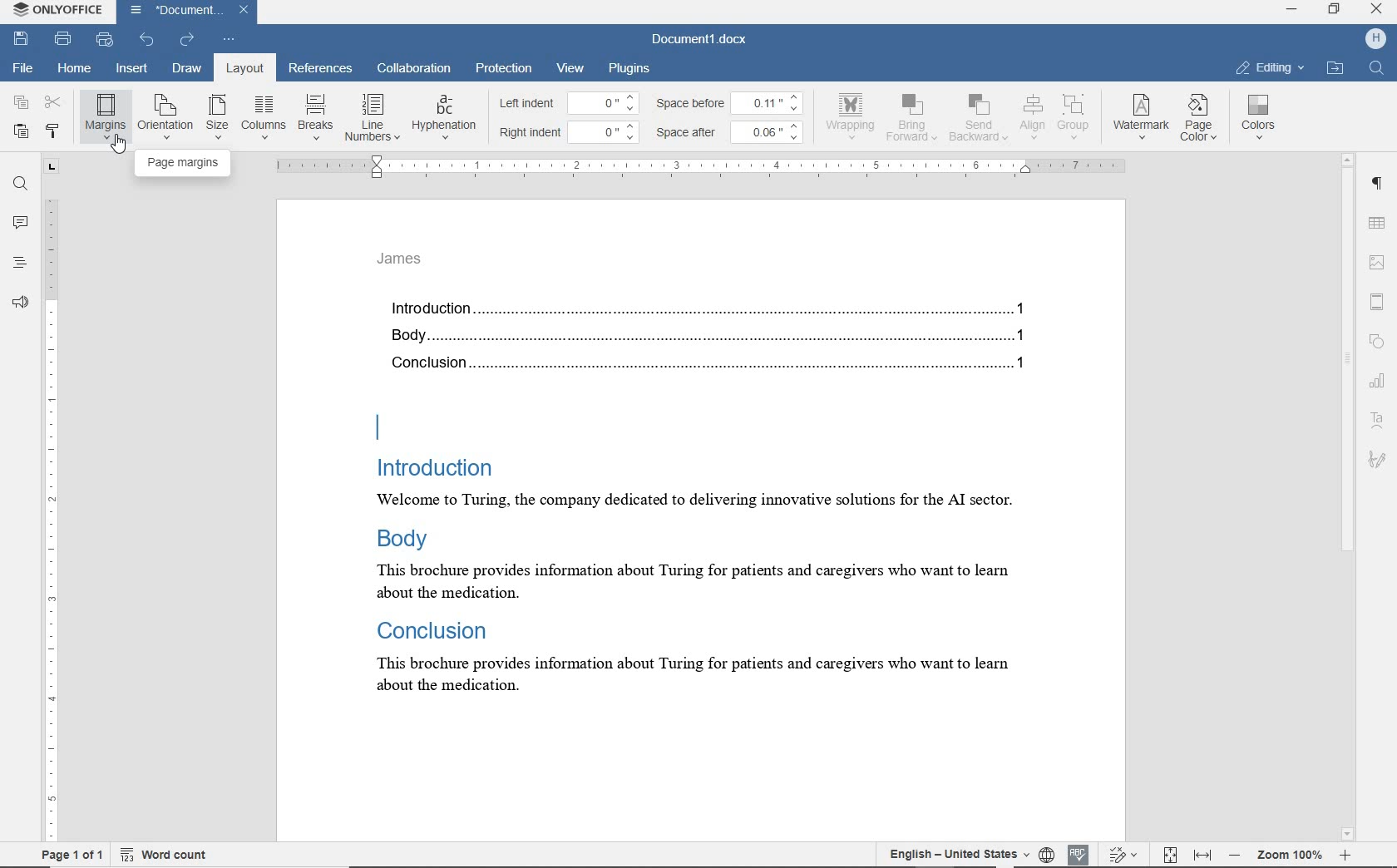 The image size is (1397, 868). Describe the element at coordinates (105, 116) in the screenshot. I see `margins` at that location.